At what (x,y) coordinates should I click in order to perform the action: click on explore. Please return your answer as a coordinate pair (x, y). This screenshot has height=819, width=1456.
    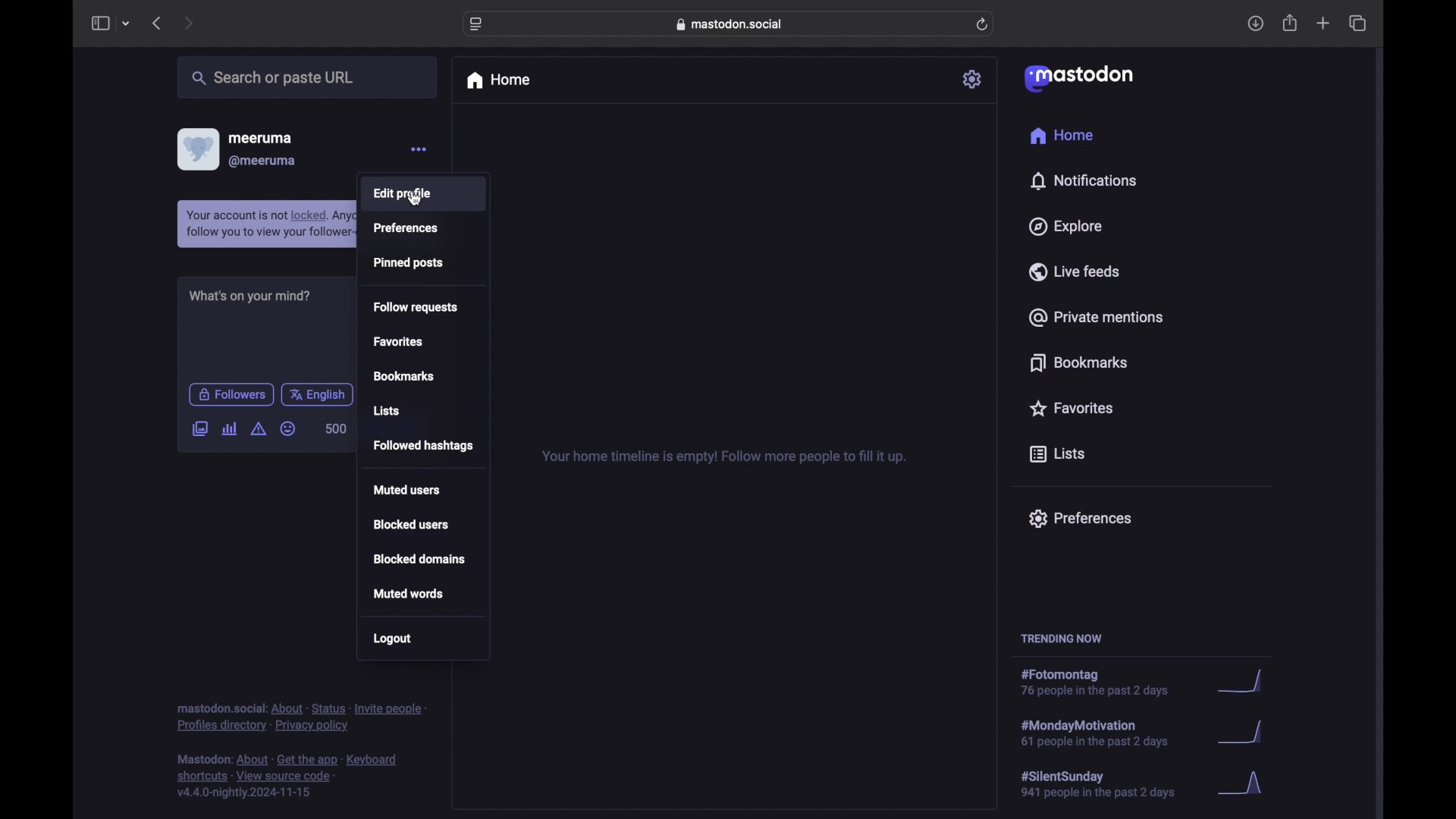
    Looking at the image, I should click on (1068, 226).